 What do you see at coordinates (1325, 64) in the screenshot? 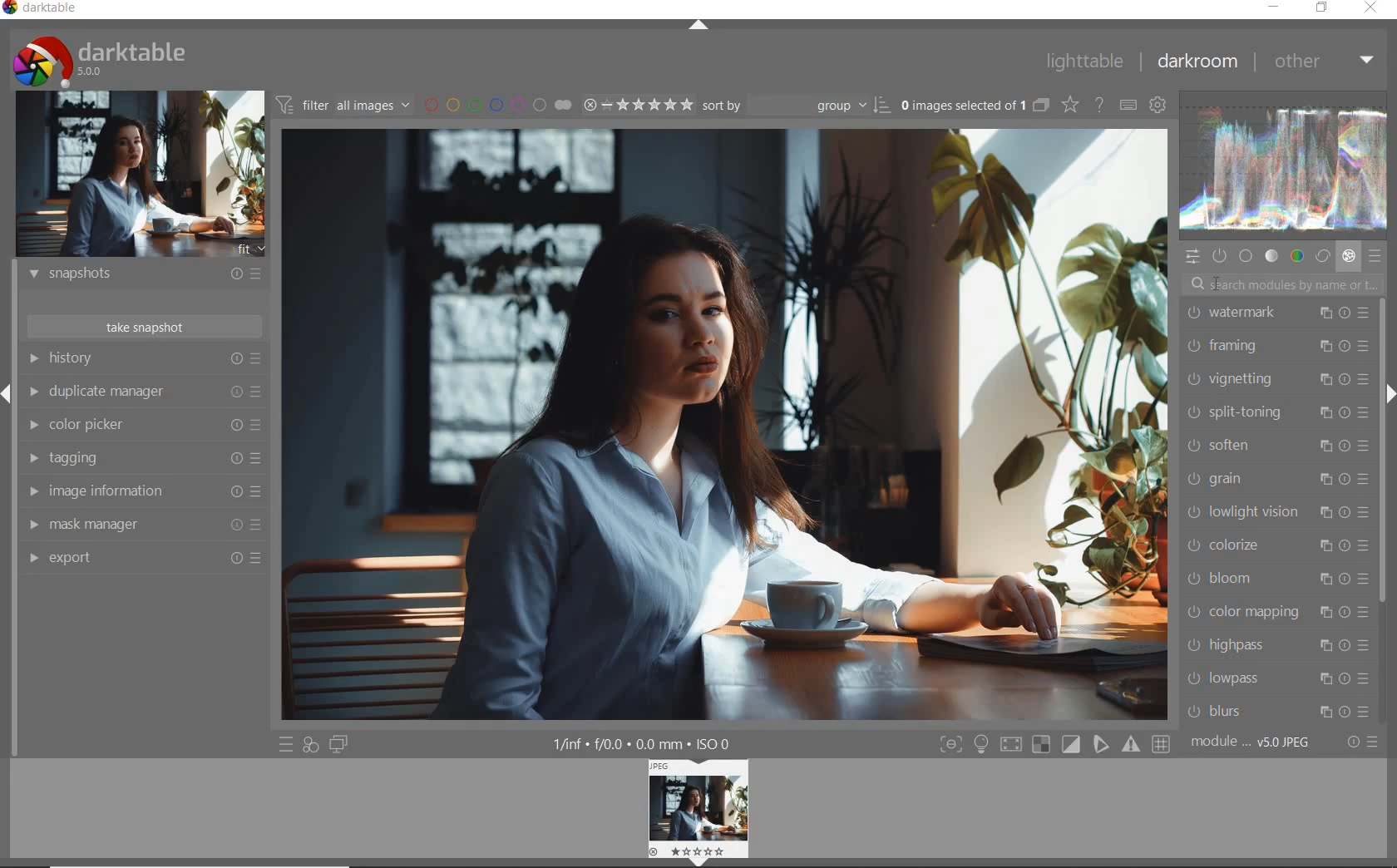
I see `other` at bounding box center [1325, 64].